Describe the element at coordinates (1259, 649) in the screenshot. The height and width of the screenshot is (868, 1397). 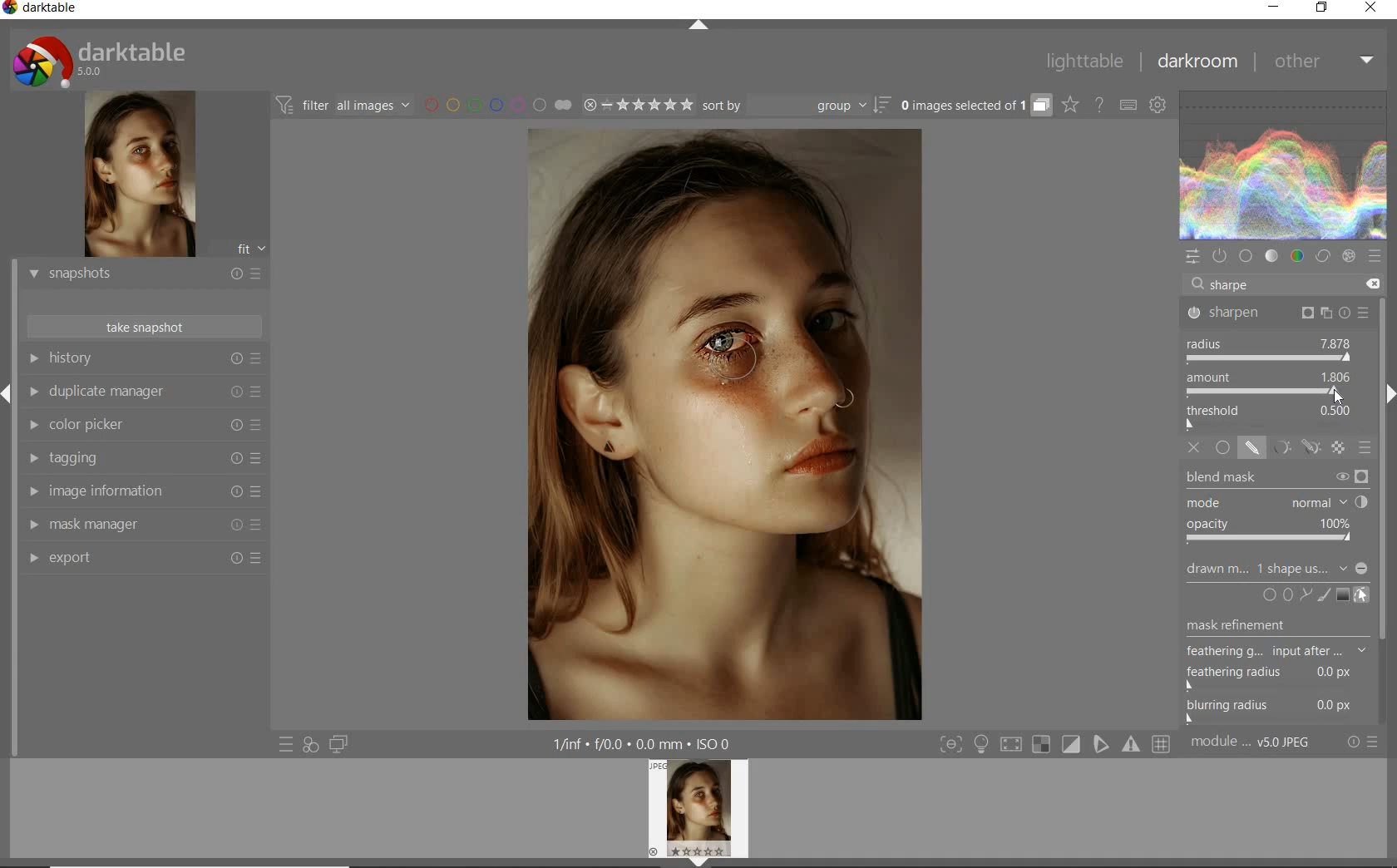
I see `FEATHERING G...Input after` at that location.